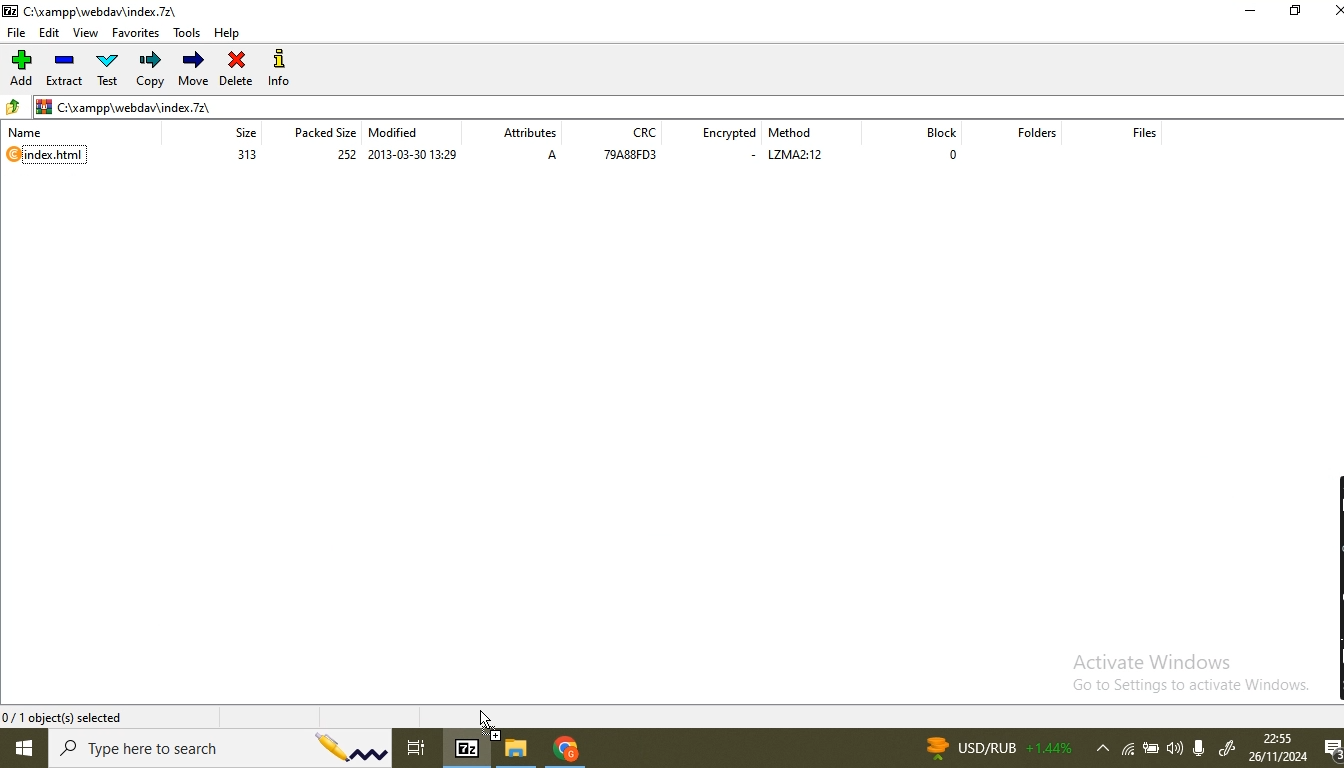 The image size is (1344, 768). Describe the element at coordinates (1149, 134) in the screenshot. I see `files` at that location.